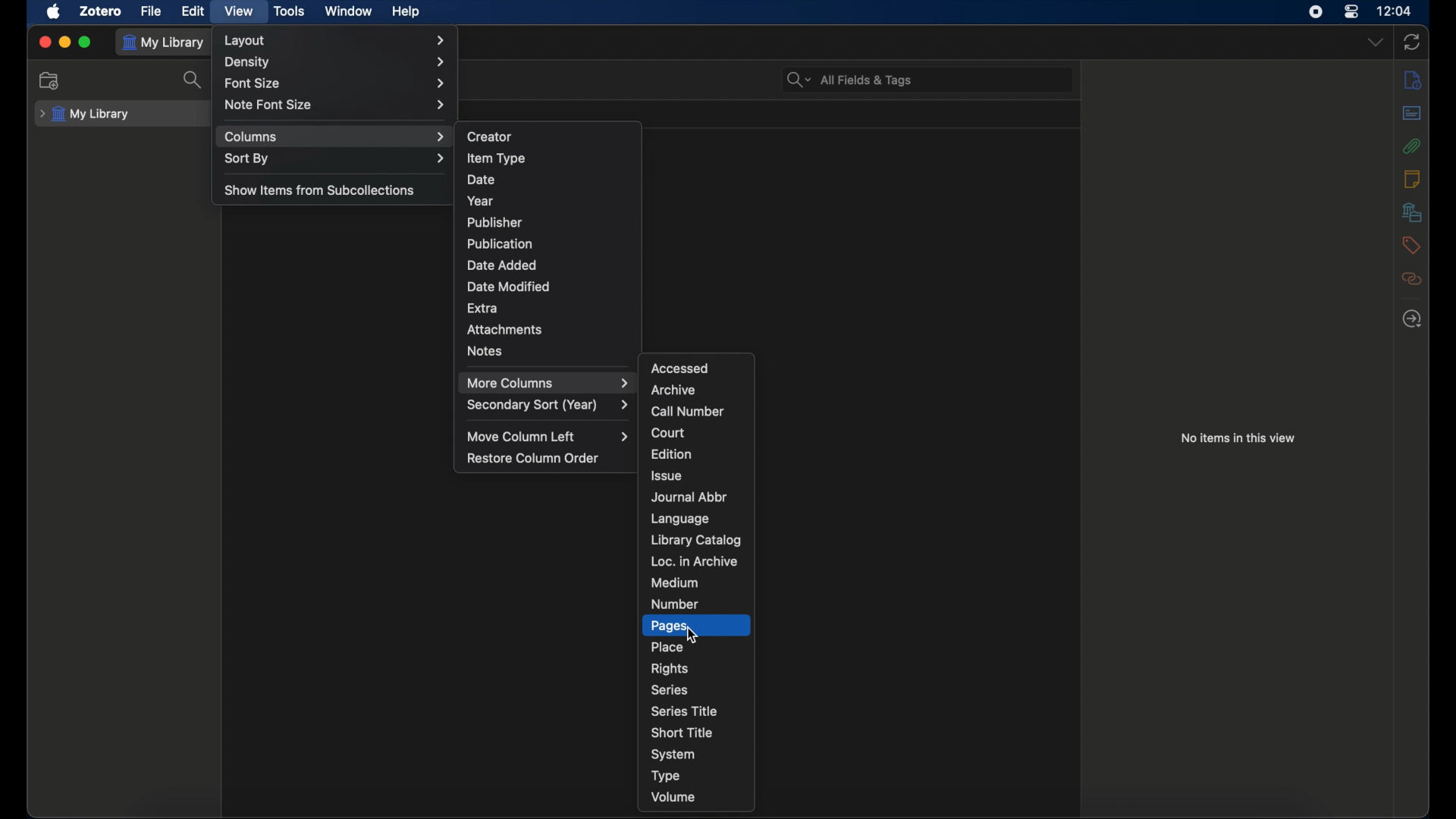 This screenshot has height=819, width=1456. I want to click on year, so click(481, 202).